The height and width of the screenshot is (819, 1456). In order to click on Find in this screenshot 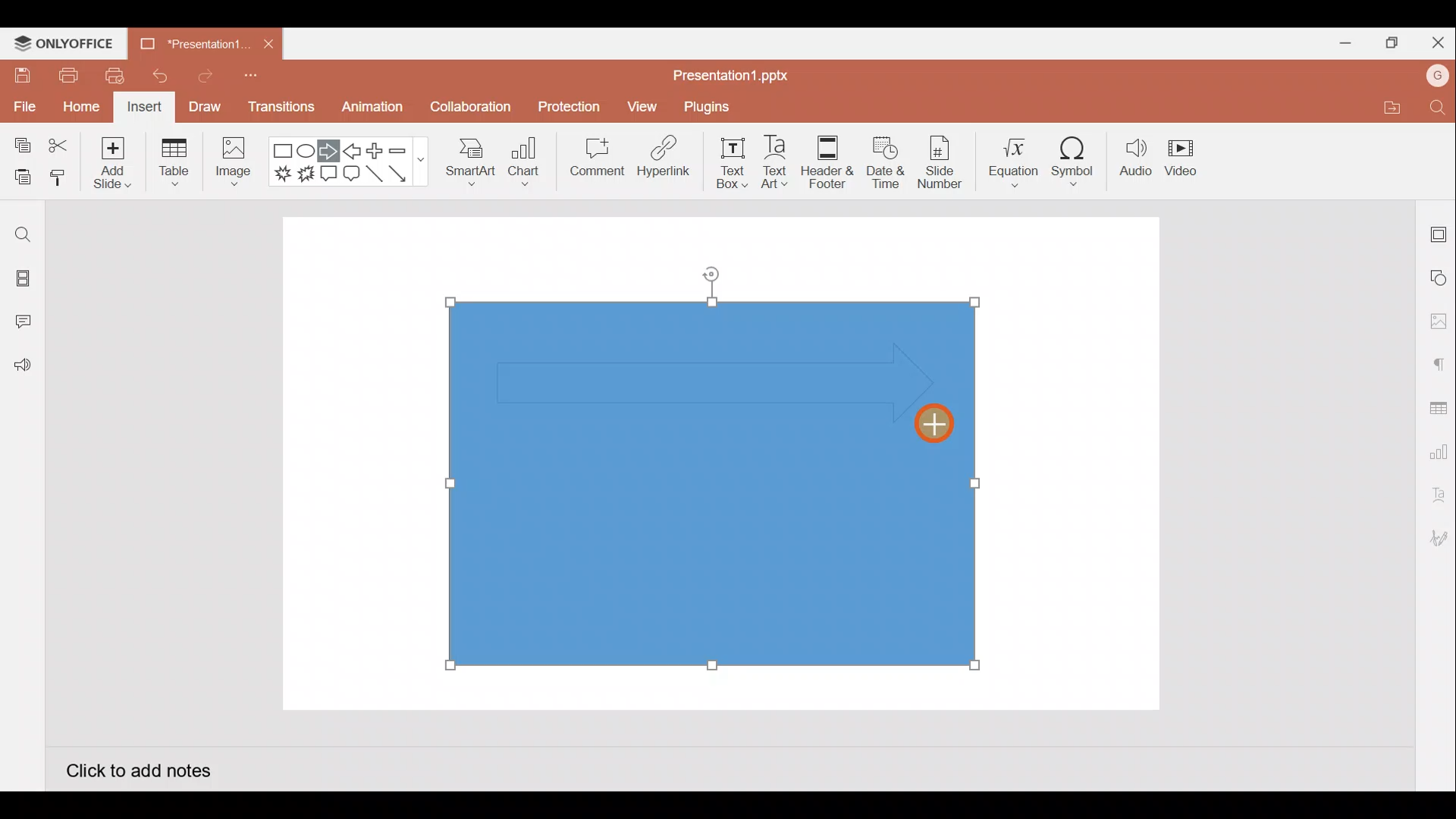, I will do `click(1439, 107)`.